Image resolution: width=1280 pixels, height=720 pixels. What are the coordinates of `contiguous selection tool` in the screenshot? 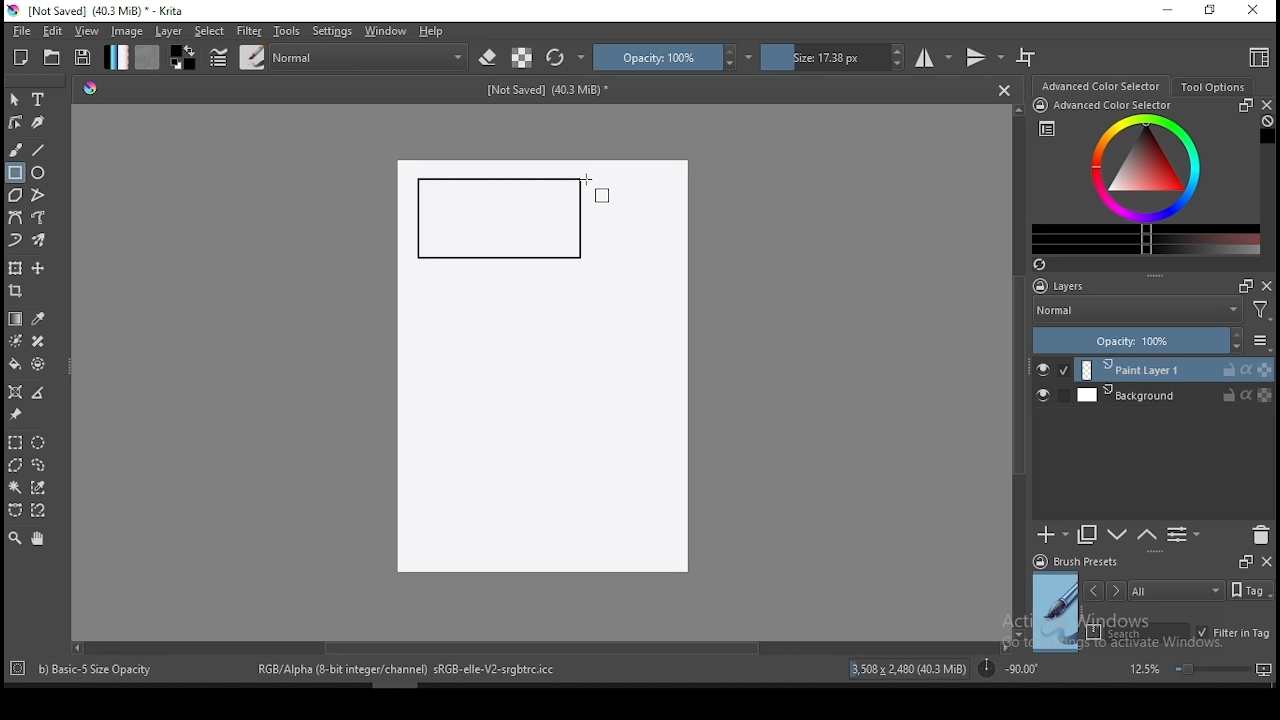 It's located at (16, 489).